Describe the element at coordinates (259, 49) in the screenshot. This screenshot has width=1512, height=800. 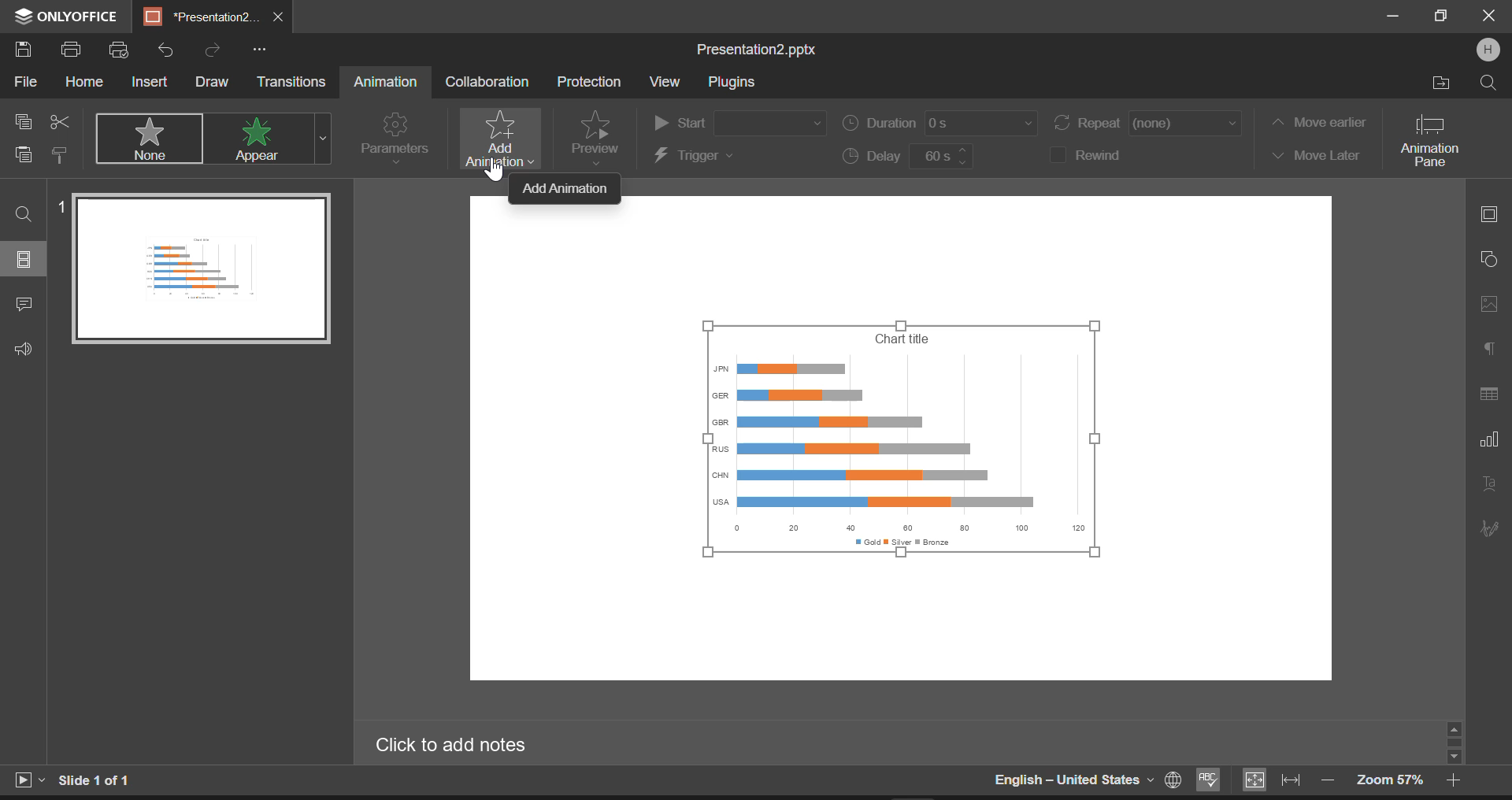
I see `More Options` at that location.